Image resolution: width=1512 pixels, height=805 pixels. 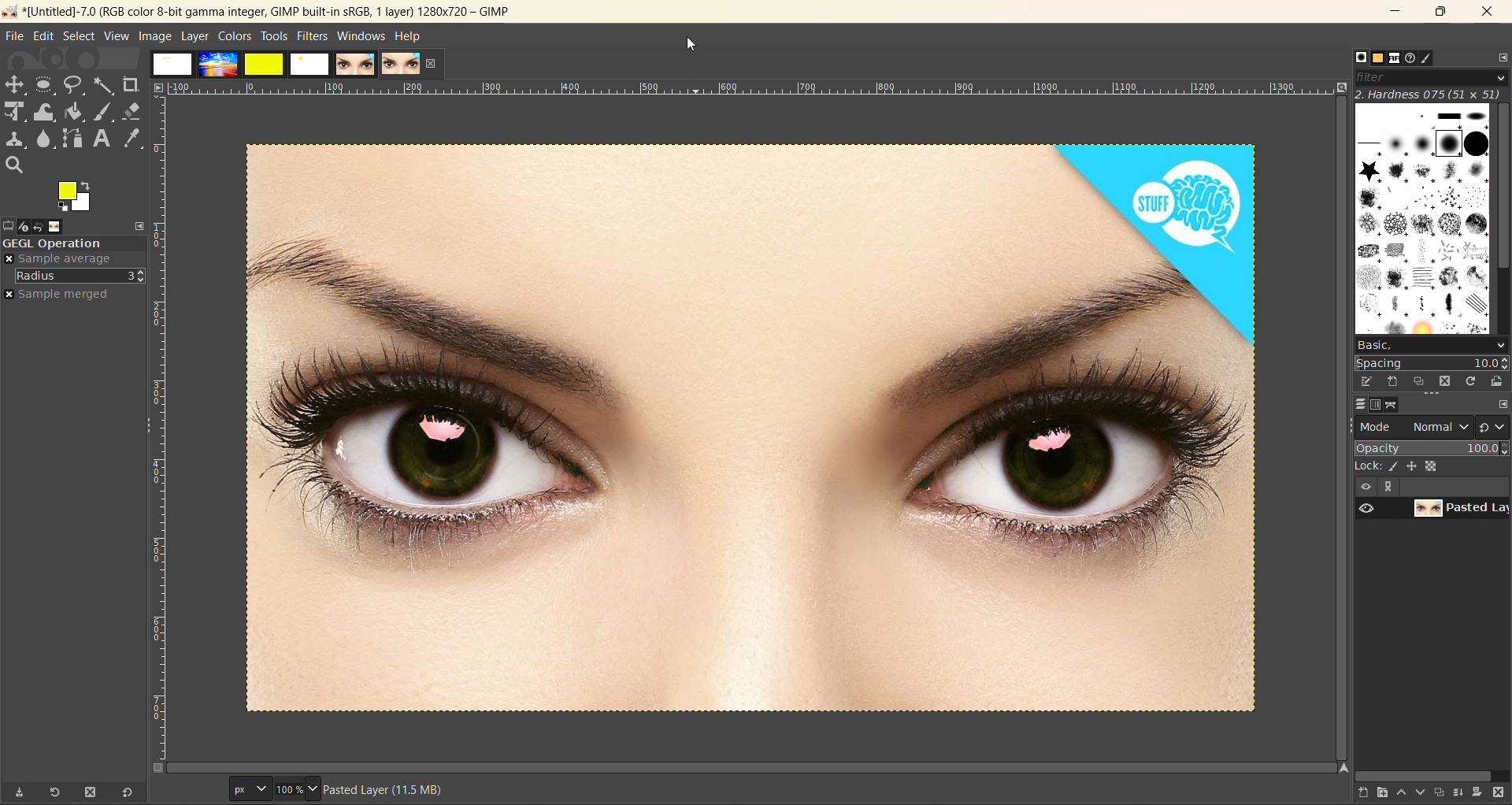 I want to click on cursor, so click(x=692, y=46).